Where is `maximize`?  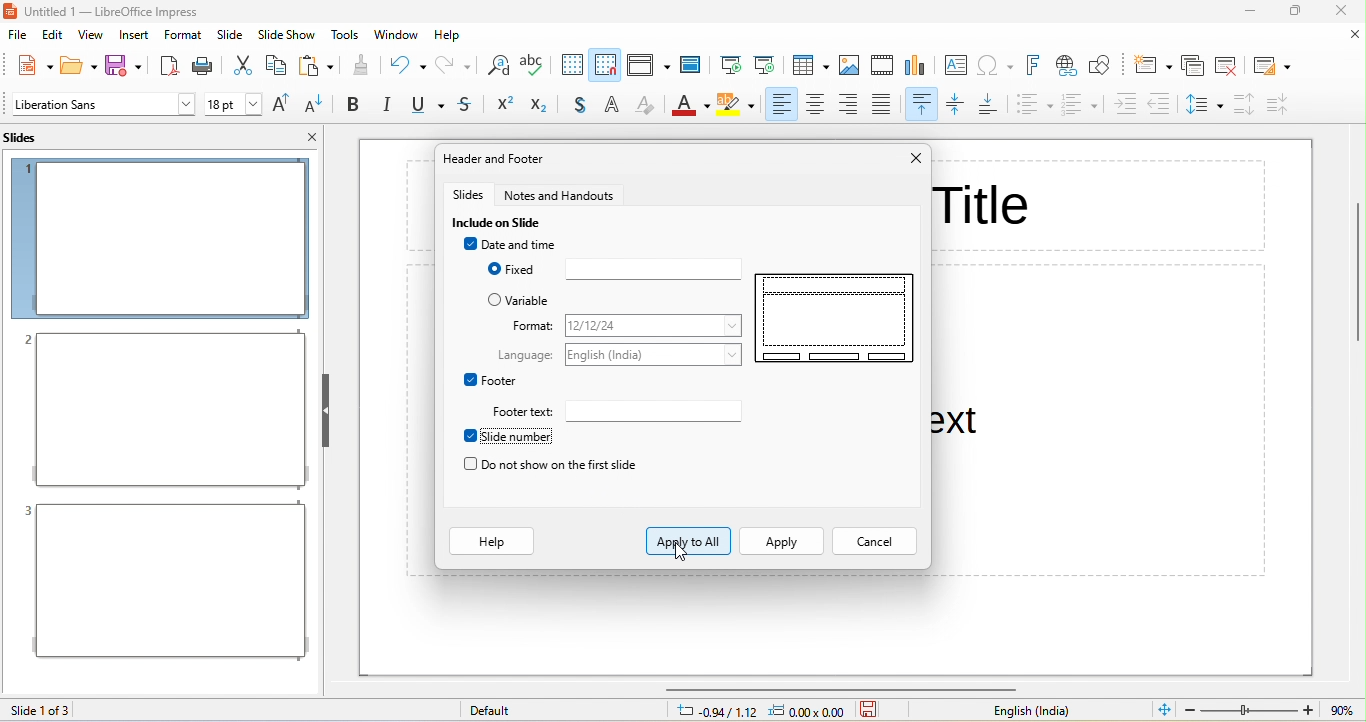
maximize is located at coordinates (1297, 12).